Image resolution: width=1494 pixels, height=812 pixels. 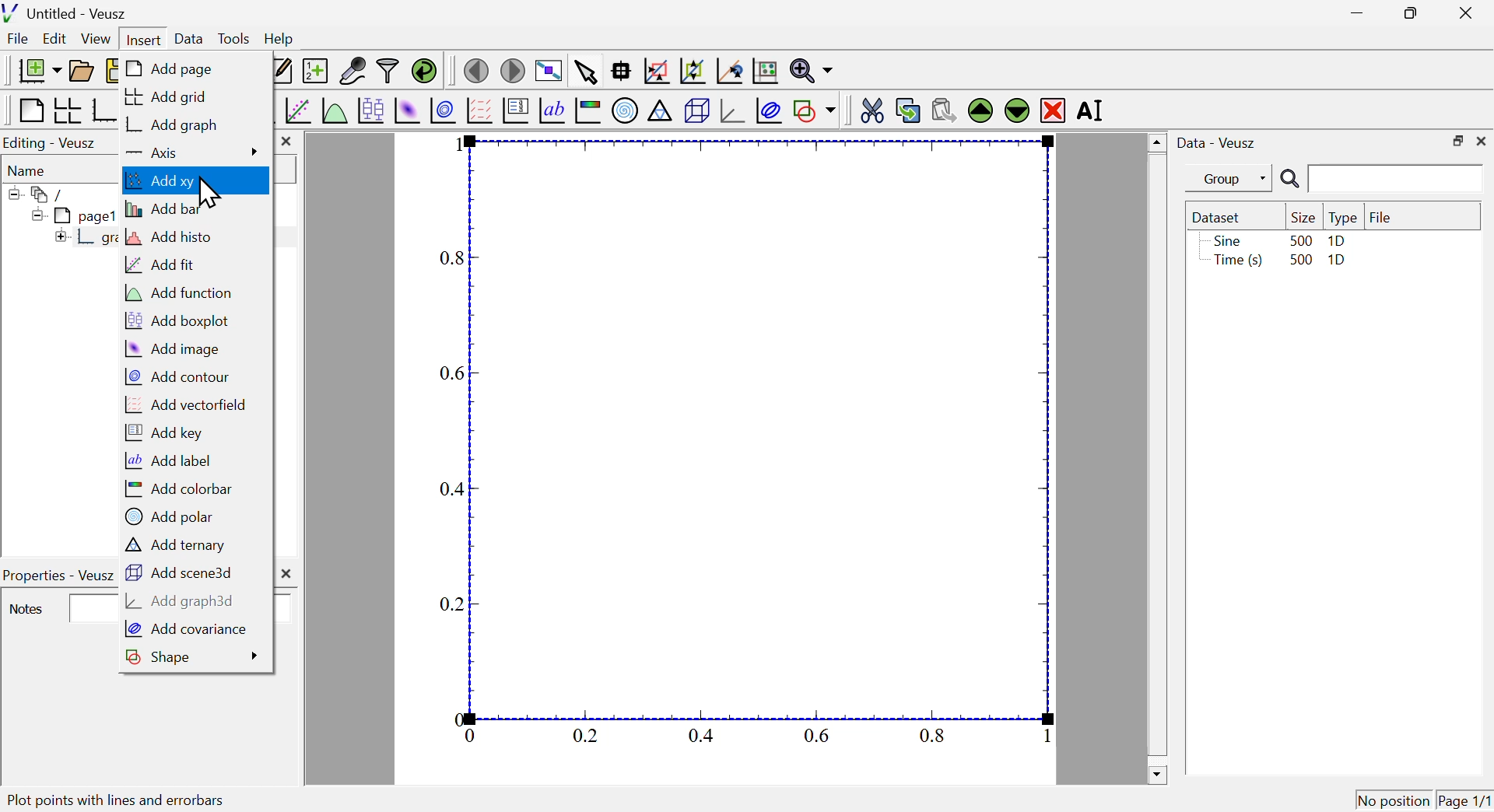 What do you see at coordinates (479, 110) in the screenshot?
I see `plot a vector field` at bounding box center [479, 110].